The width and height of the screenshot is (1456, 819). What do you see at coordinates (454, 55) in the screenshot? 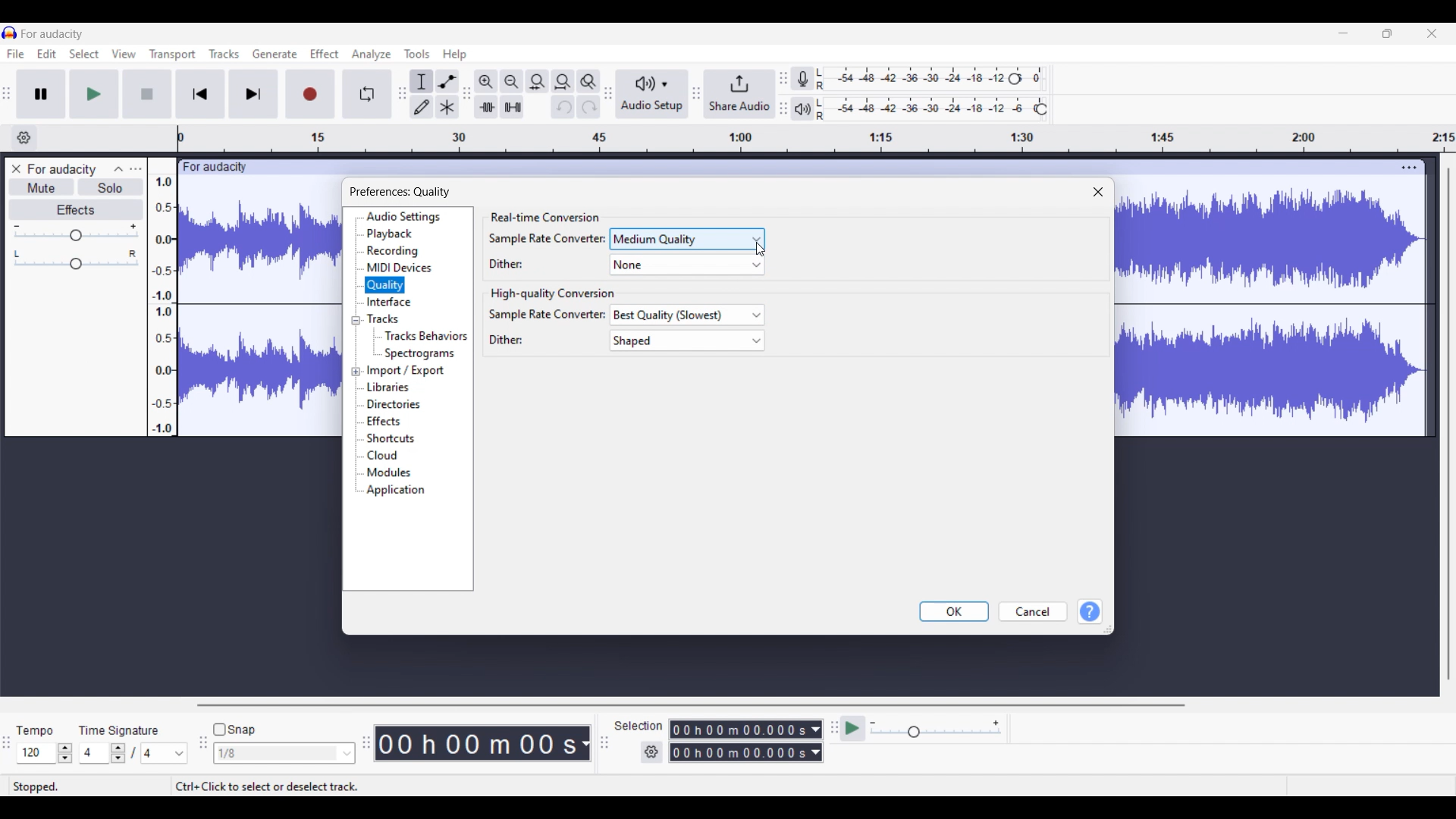
I see `Help menu` at bounding box center [454, 55].